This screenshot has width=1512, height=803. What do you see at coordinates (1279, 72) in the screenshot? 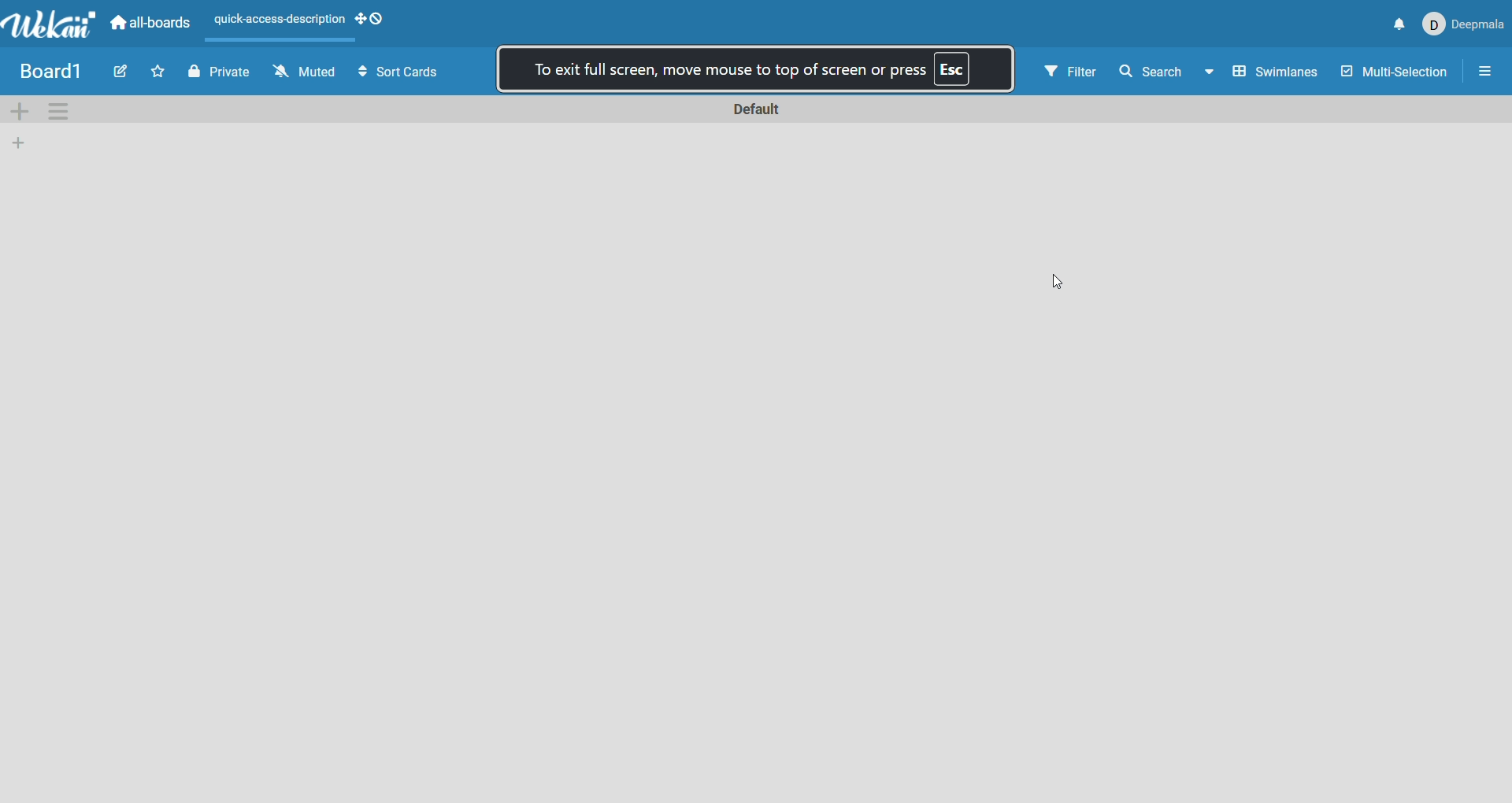
I see `swimlanes` at bounding box center [1279, 72].